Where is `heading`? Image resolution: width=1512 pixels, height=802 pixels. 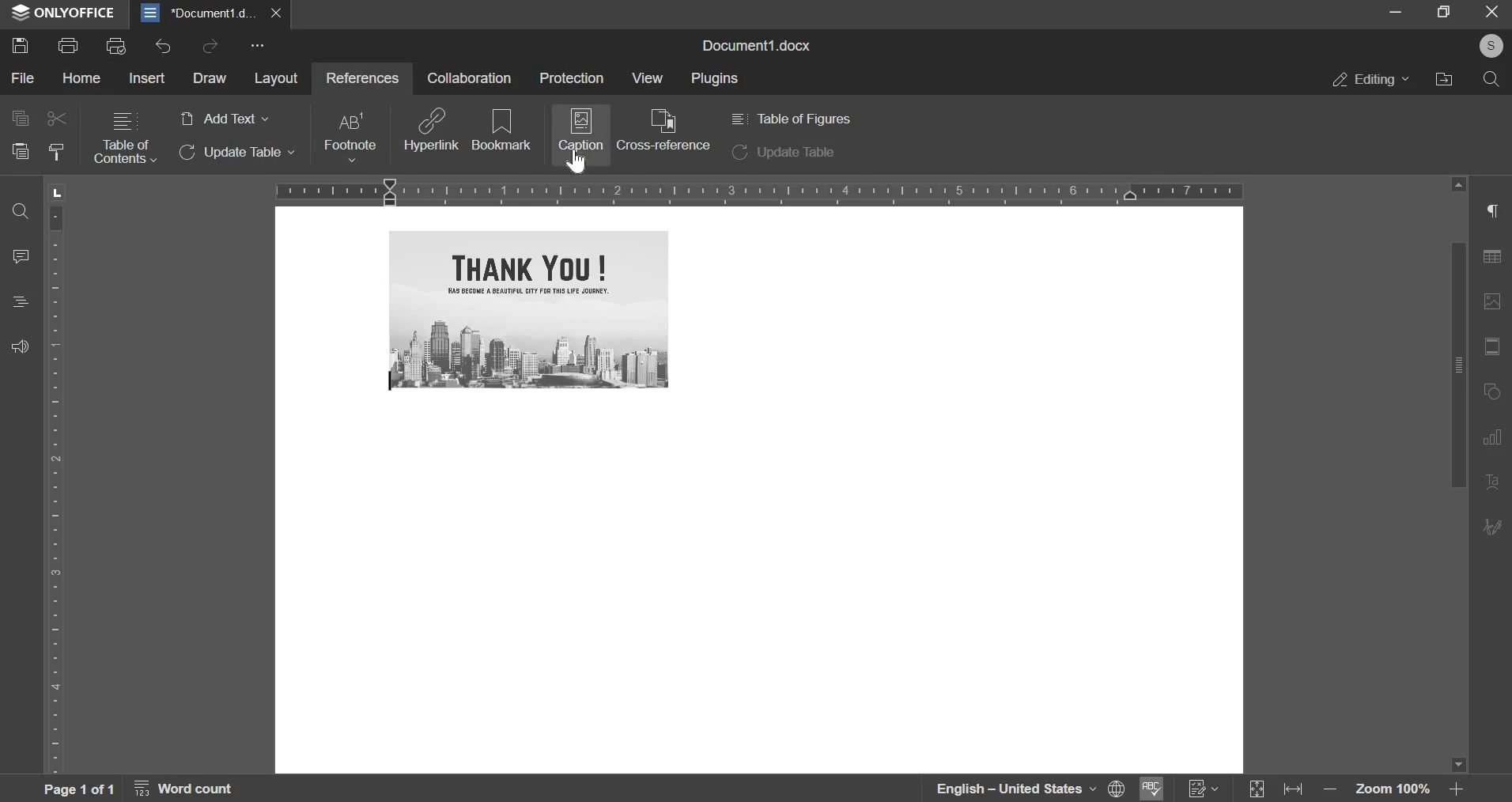 heading is located at coordinates (21, 301).